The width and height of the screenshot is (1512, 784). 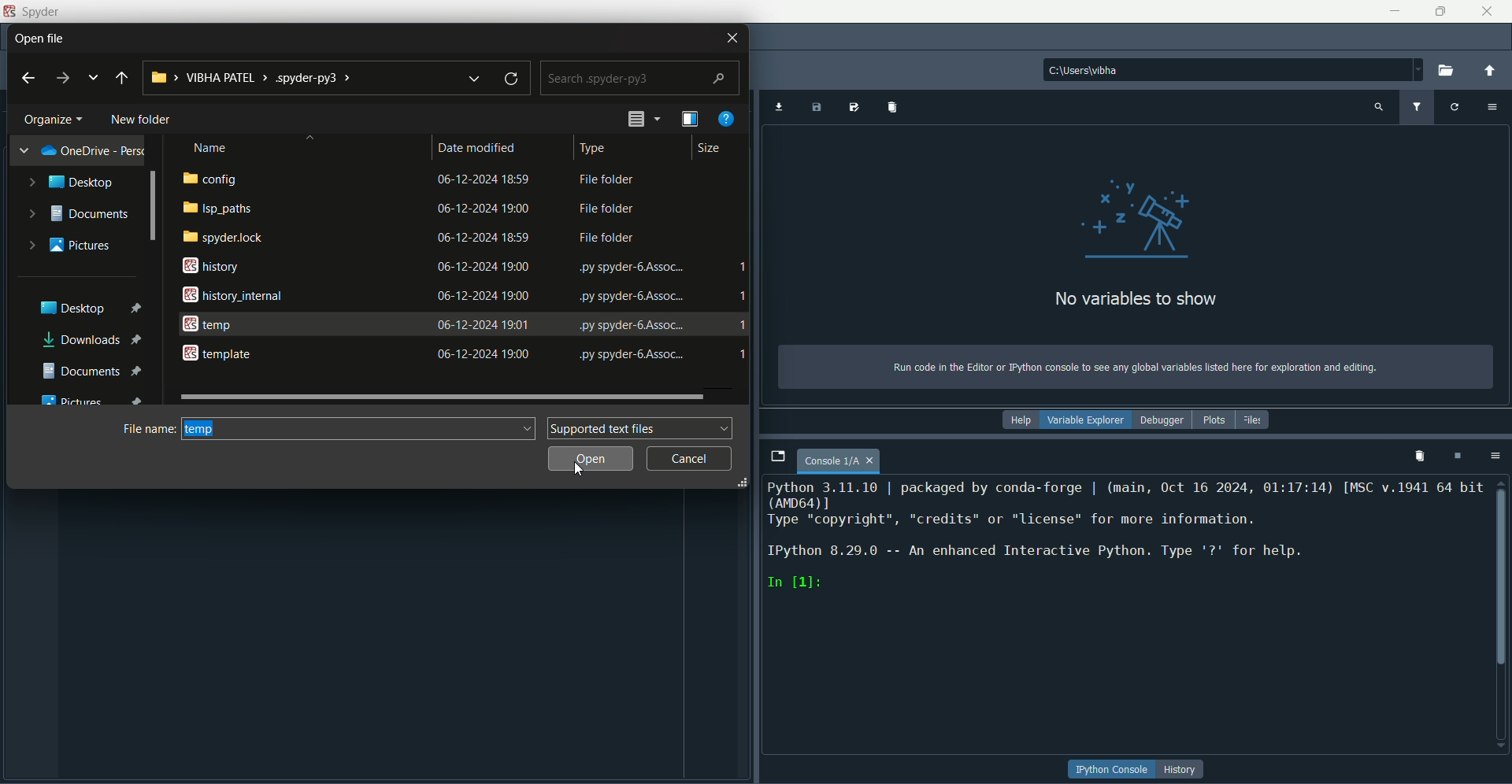 I want to click on Cursor, so click(x=338, y=338).